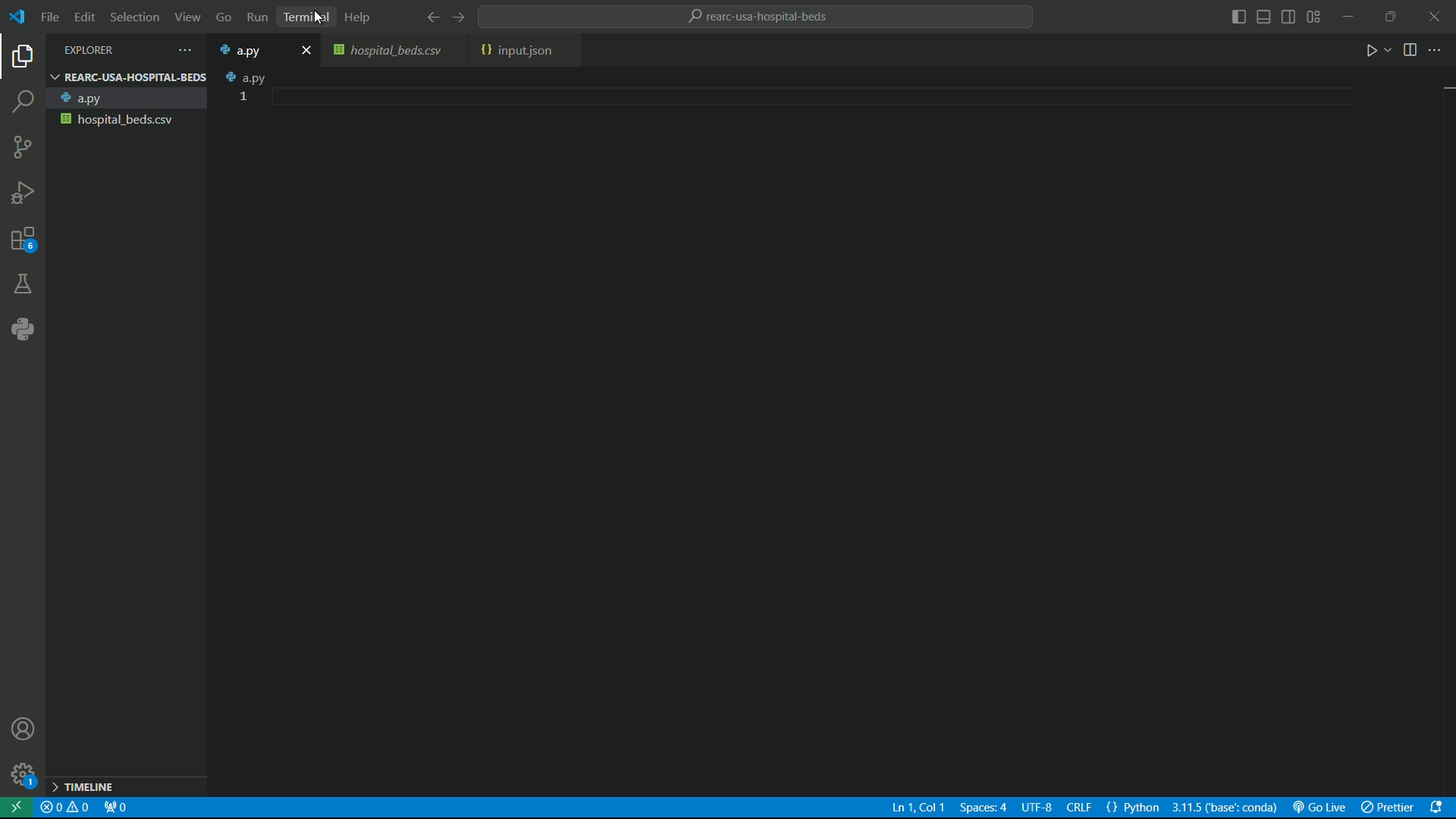  Describe the element at coordinates (86, 17) in the screenshot. I see `edit menu` at that location.